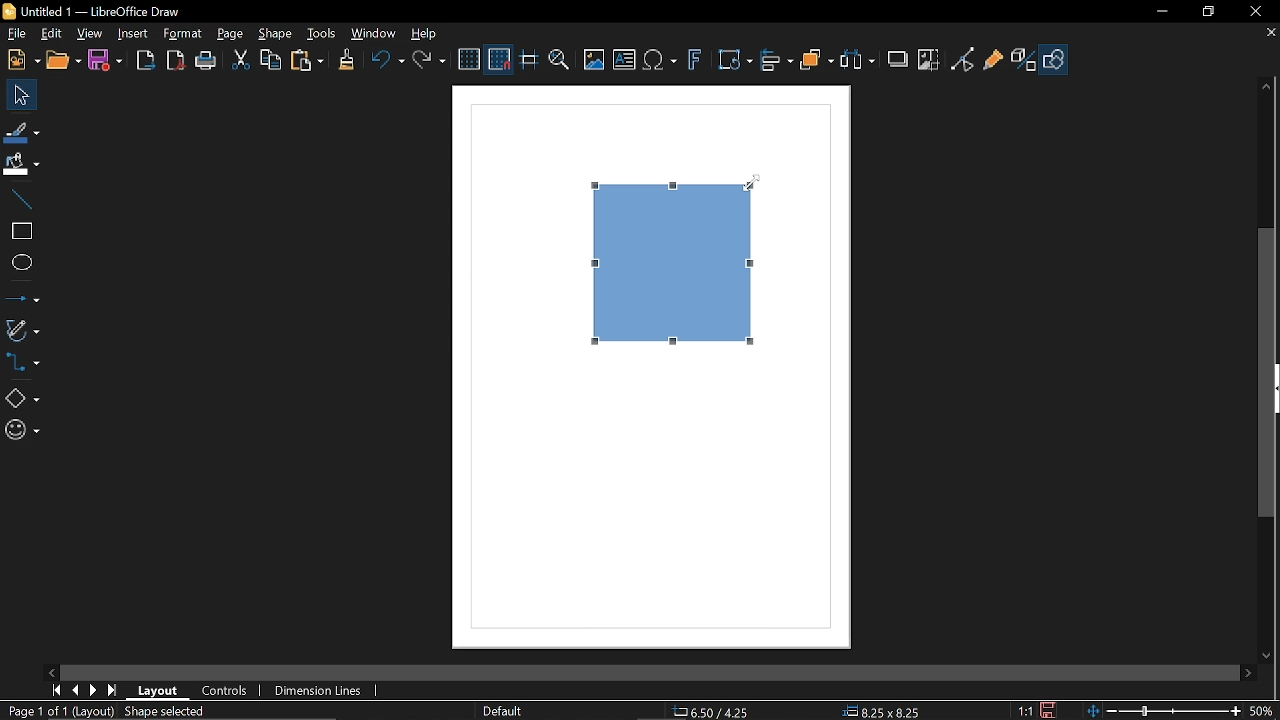 The height and width of the screenshot is (720, 1280). What do you see at coordinates (470, 60) in the screenshot?
I see `Display grid` at bounding box center [470, 60].